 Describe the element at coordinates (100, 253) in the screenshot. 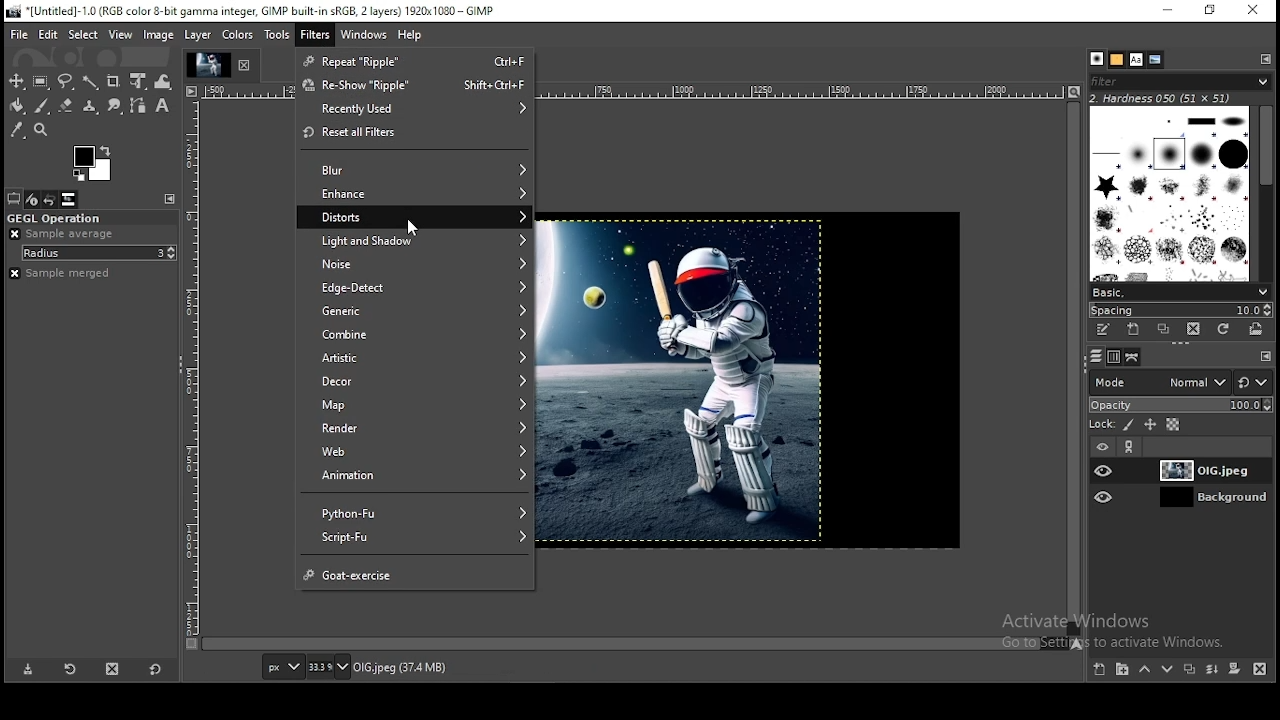

I see `radius` at that location.